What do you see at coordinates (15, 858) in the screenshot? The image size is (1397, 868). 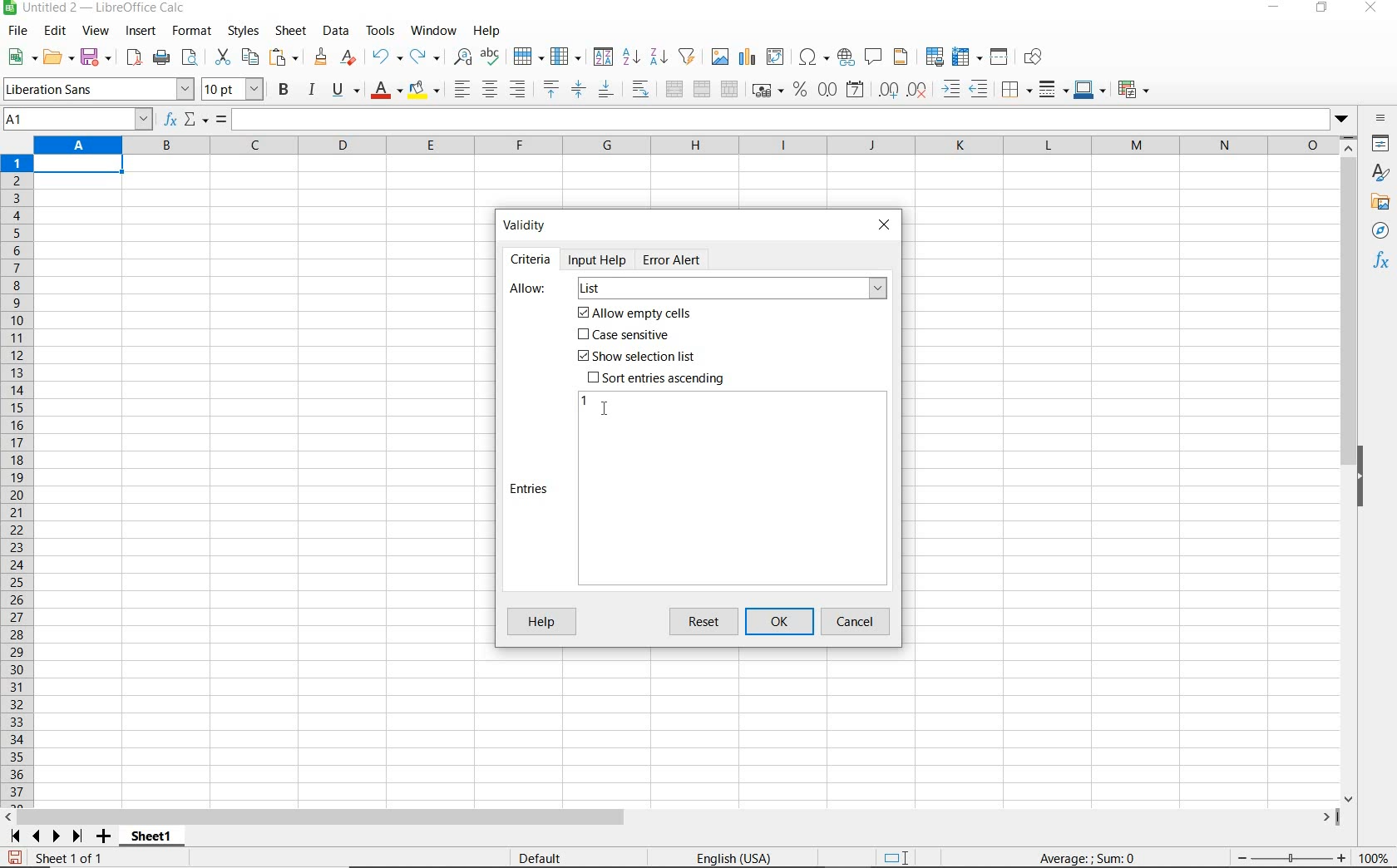 I see `save` at bounding box center [15, 858].